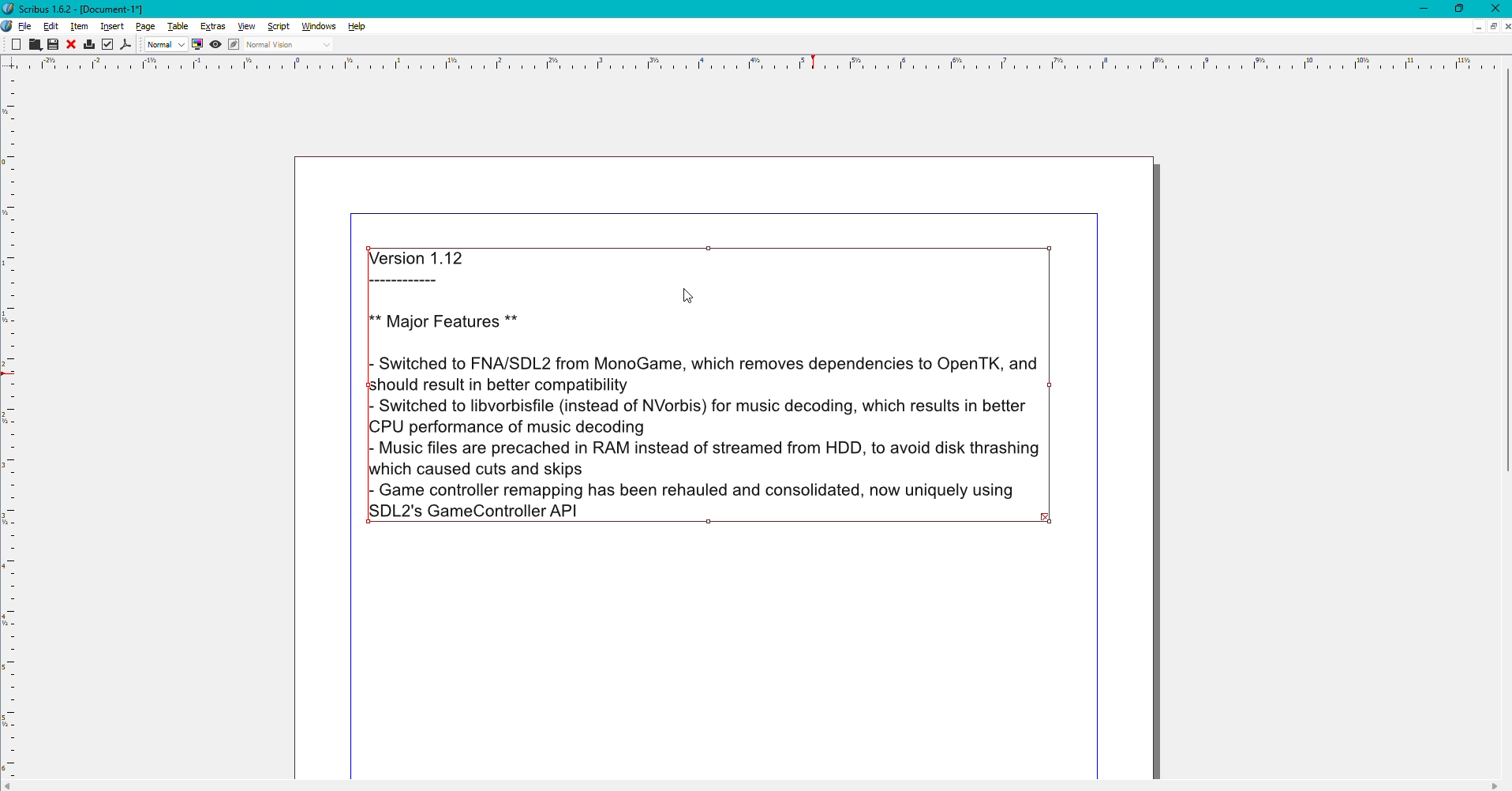 The width and height of the screenshot is (1512, 791). I want to click on Page, so click(148, 25).